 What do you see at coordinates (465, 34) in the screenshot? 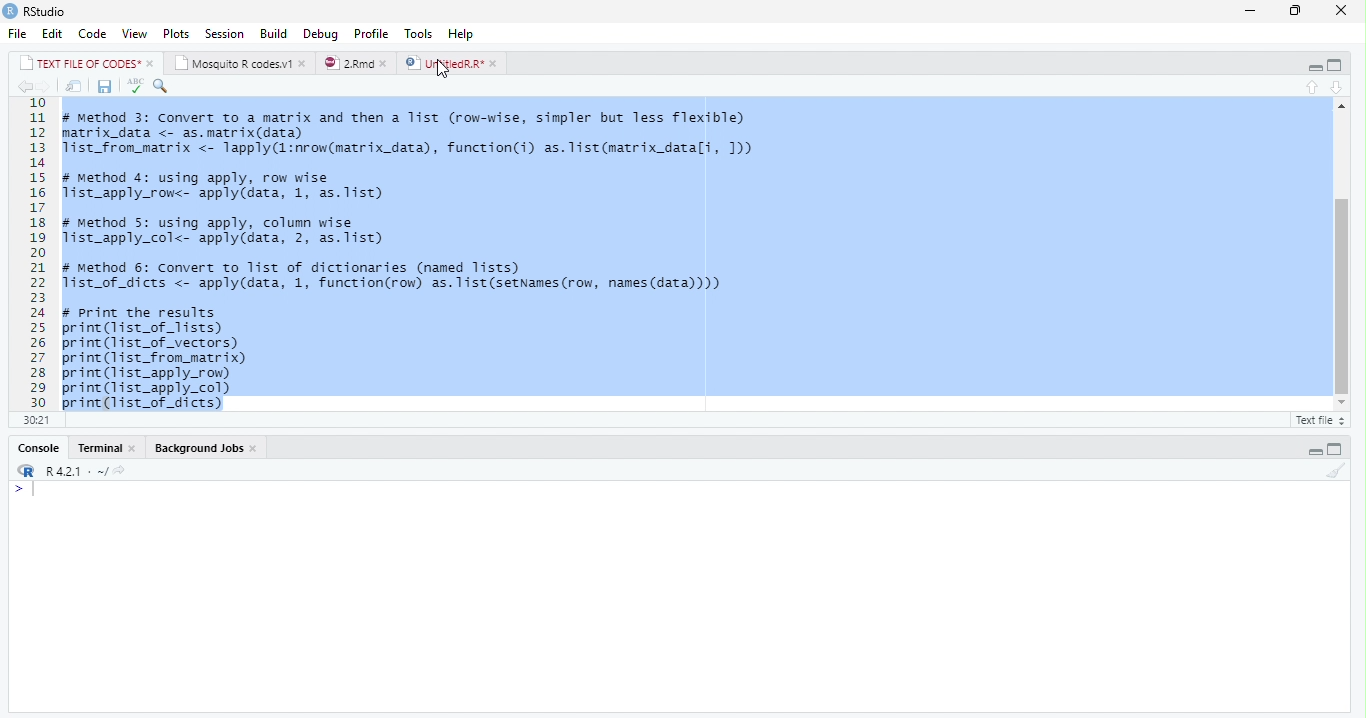
I see `Help` at bounding box center [465, 34].